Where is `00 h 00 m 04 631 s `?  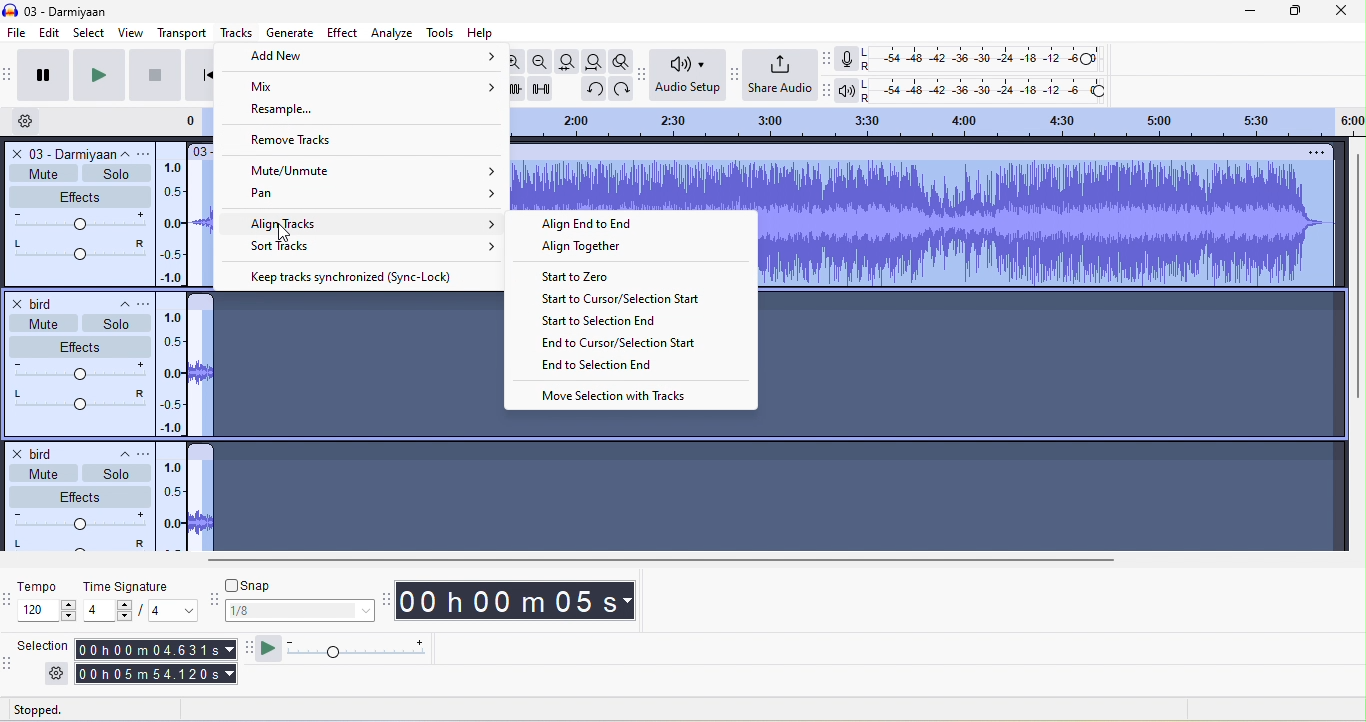 00 h 00 m 04 631 s  is located at coordinates (158, 647).